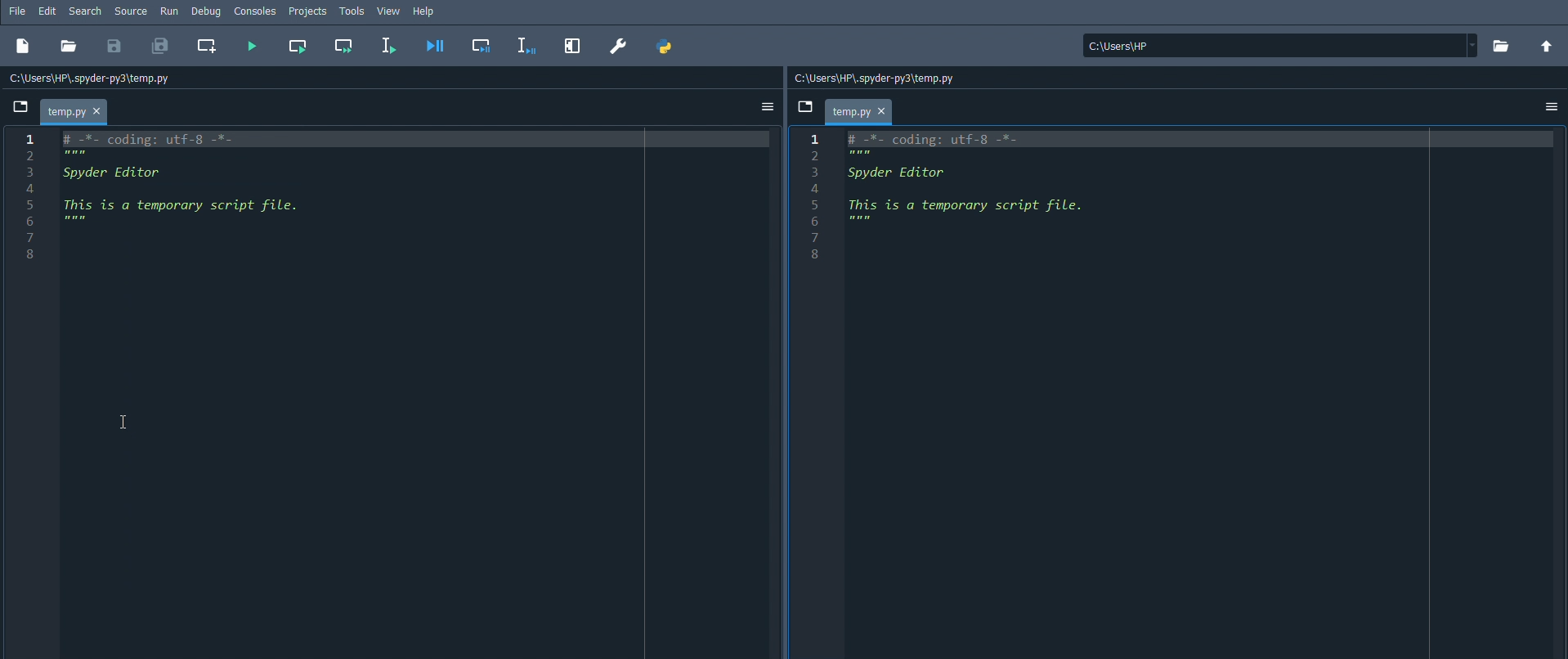  What do you see at coordinates (206, 11) in the screenshot?
I see `Debug` at bounding box center [206, 11].